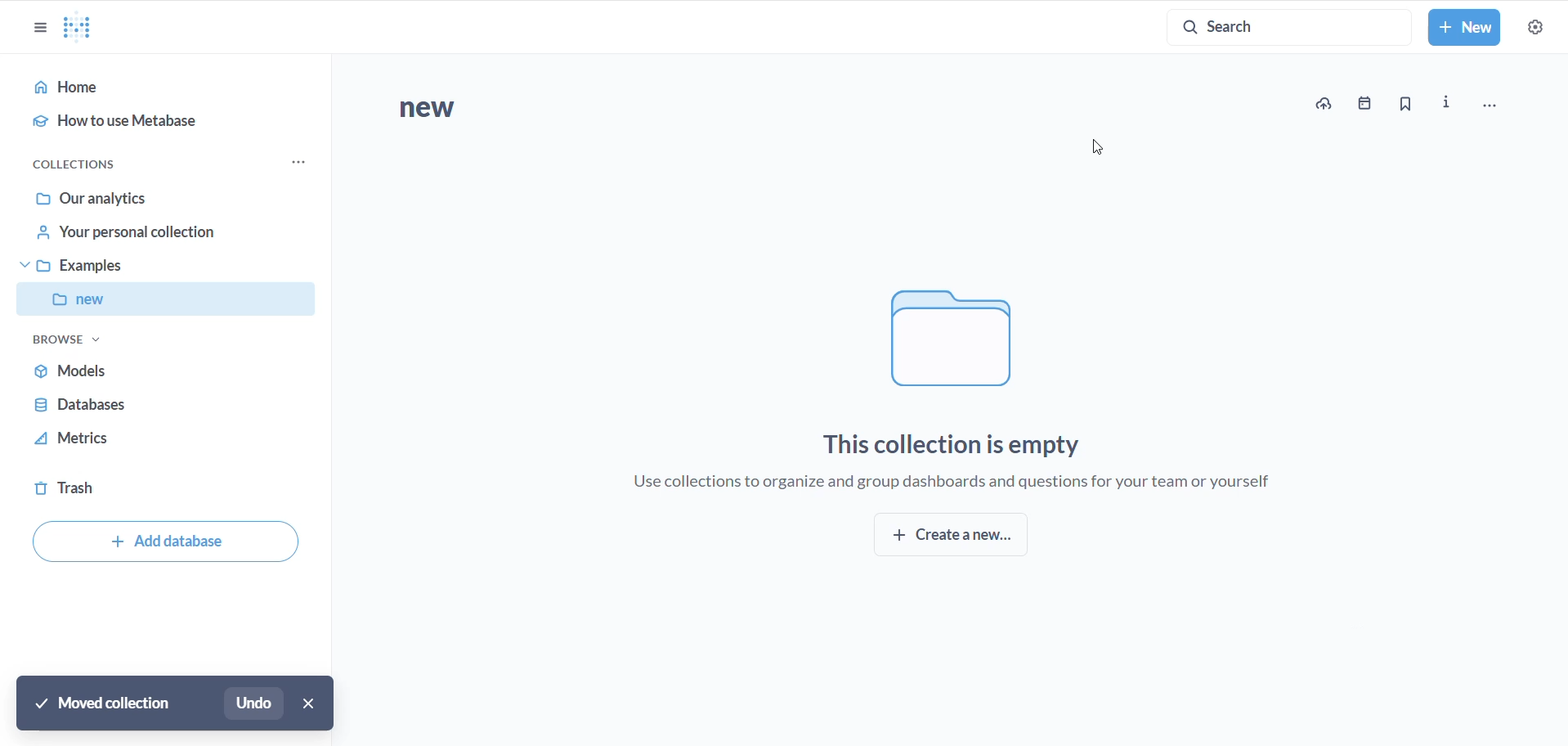 This screenshot has width=1568, height=746. Describe the element at coordinates (1289, 26) in the screenshot. I see `SEARCH  BUTTON` at that location.